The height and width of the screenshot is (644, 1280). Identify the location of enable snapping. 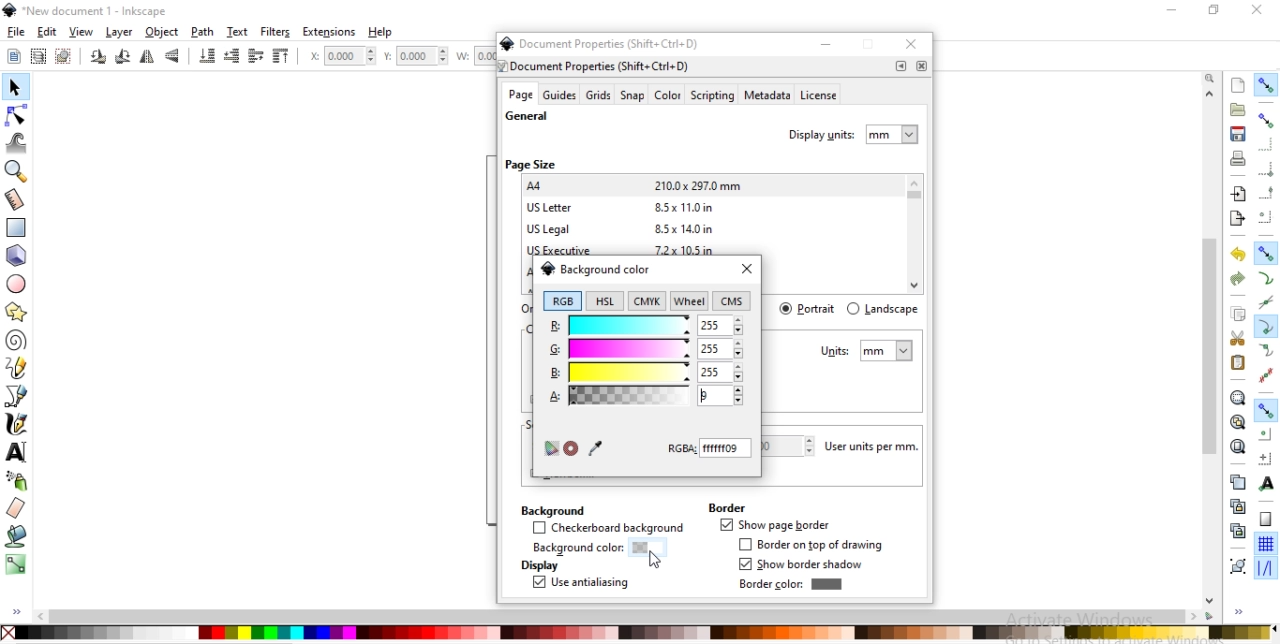
(1265, 85).